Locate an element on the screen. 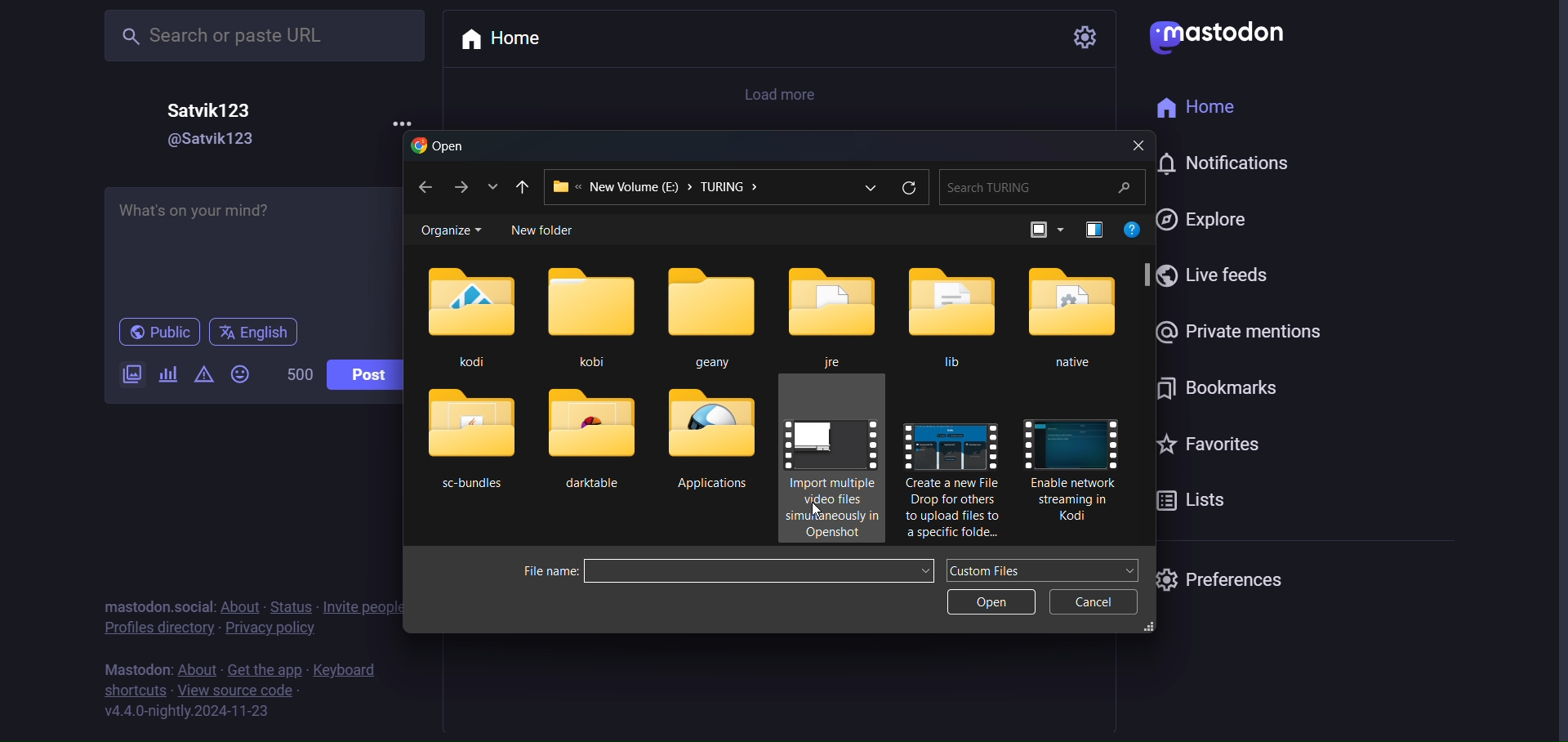 Image resolution: width=1568 pixels, height=742 pixels. resize is located at coordinates (1151, 628).